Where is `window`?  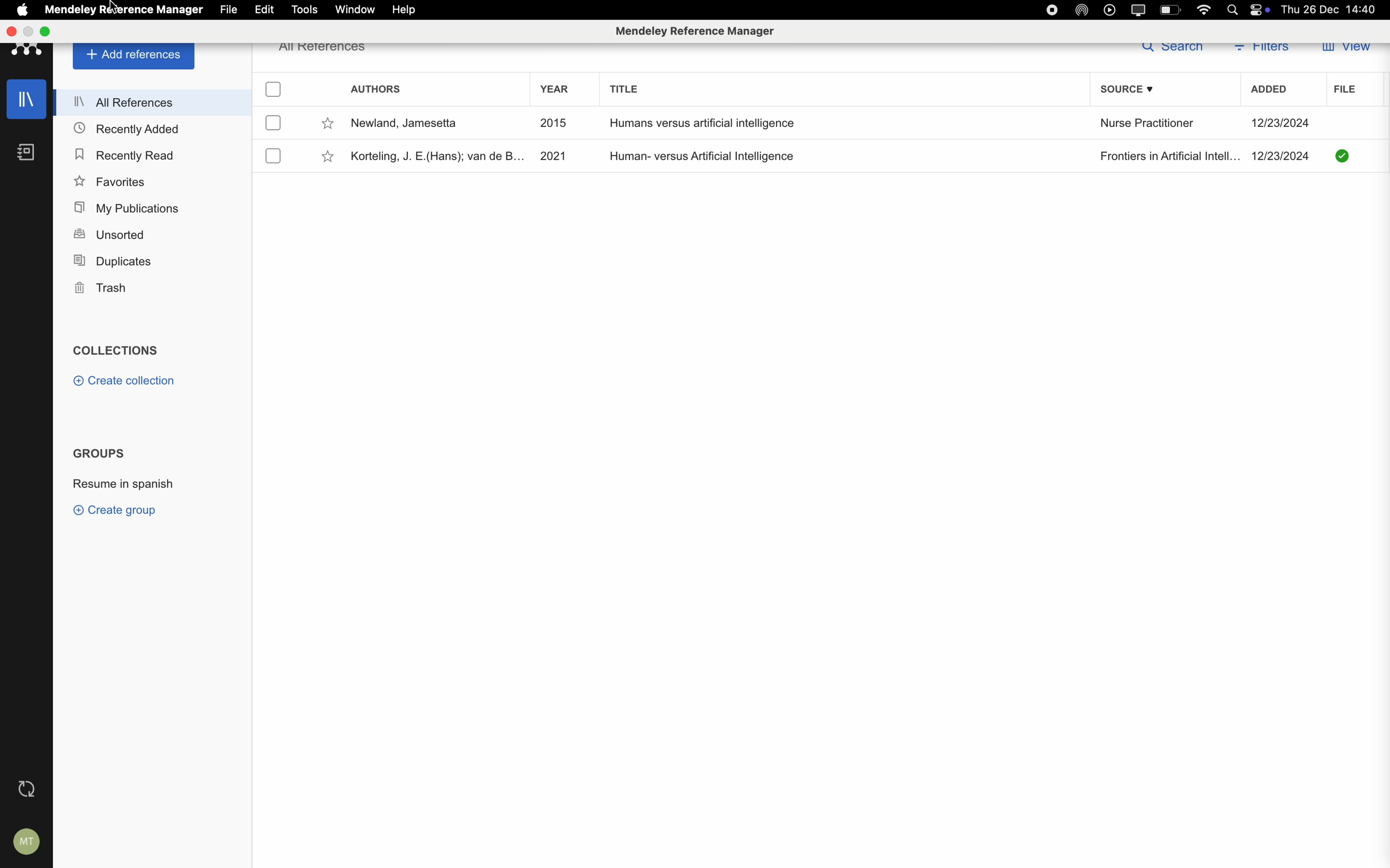
window is located at coordinates (354, 10).